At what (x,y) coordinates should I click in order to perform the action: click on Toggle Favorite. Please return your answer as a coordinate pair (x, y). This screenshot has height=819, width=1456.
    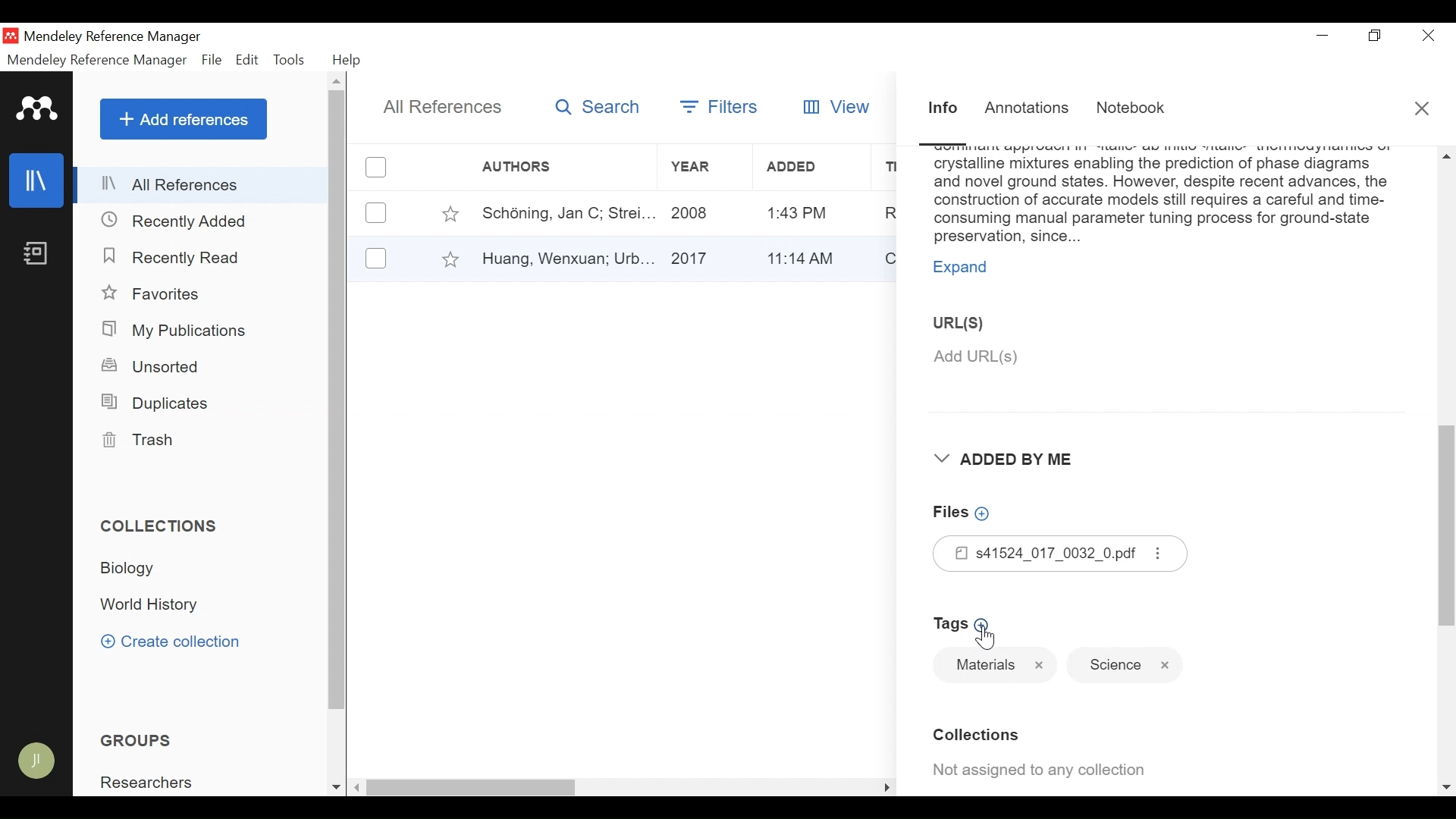
    Looking at the image, I should click on (450, 213).